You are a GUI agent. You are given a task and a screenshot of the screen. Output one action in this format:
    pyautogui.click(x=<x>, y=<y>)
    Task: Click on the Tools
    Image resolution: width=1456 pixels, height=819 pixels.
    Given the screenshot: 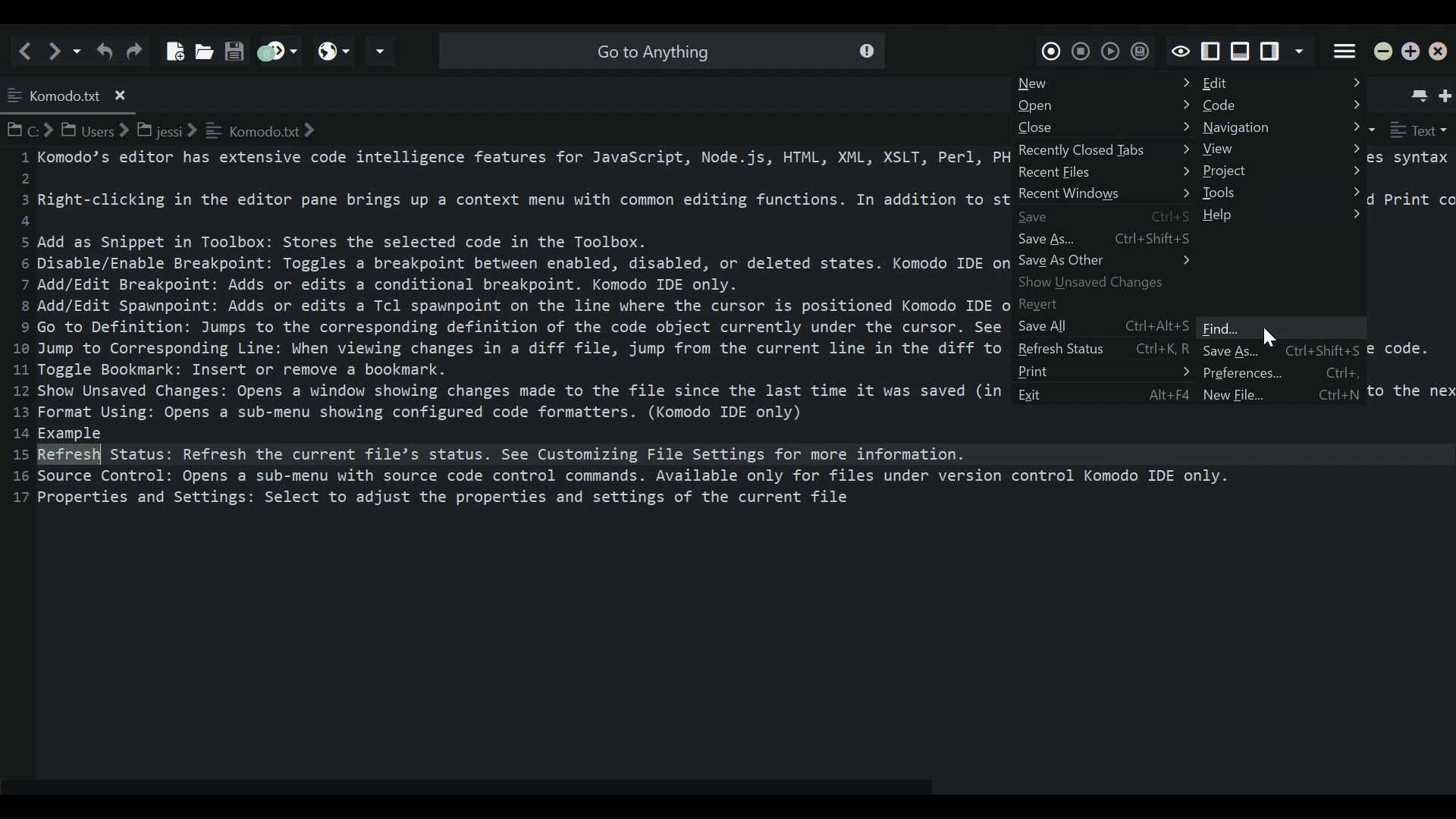 What is the action you would take?
    pyautogui.click(x=1282, y=194)
    